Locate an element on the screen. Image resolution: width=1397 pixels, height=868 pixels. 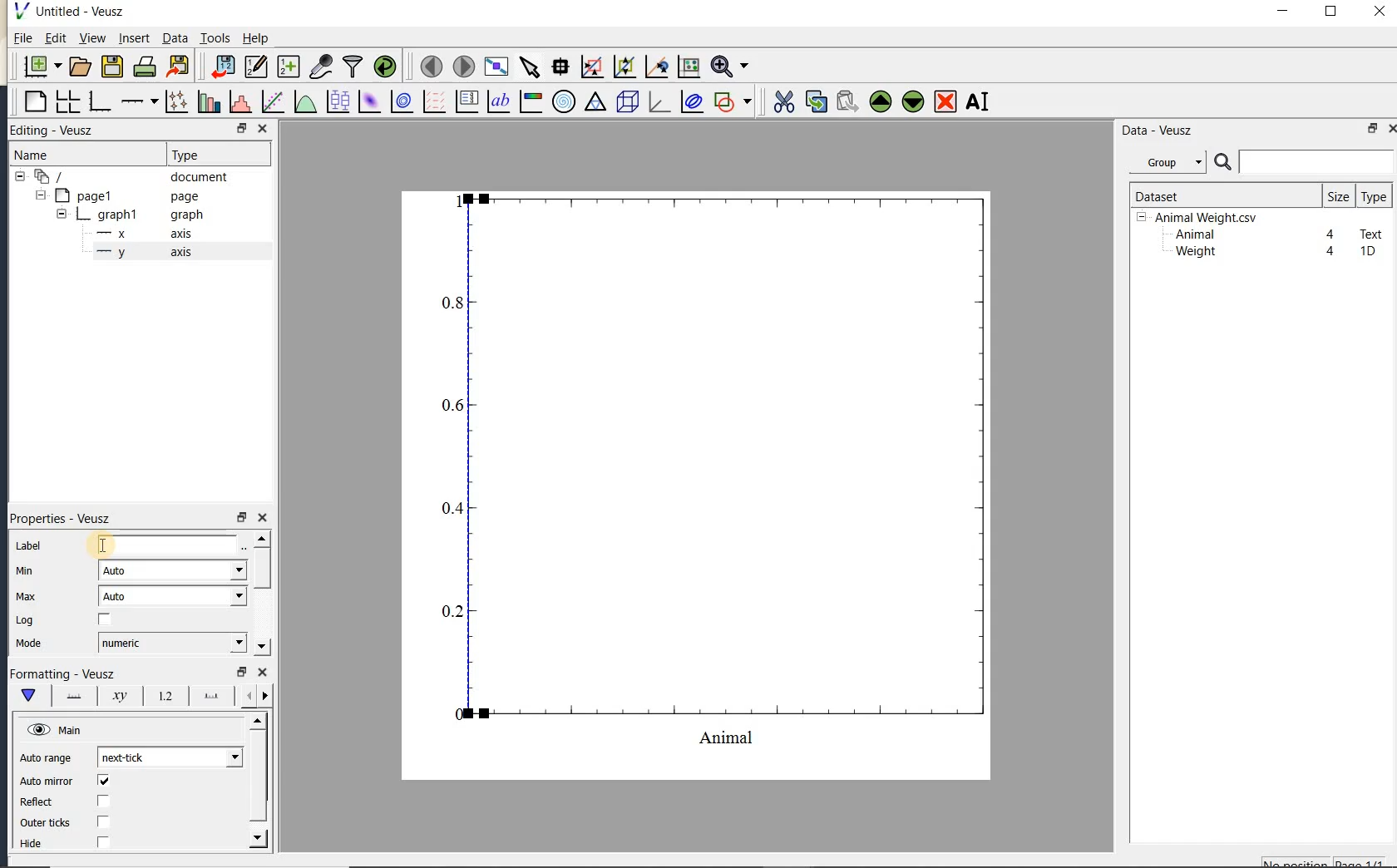
3d scene is located at coordinates (625, 102).